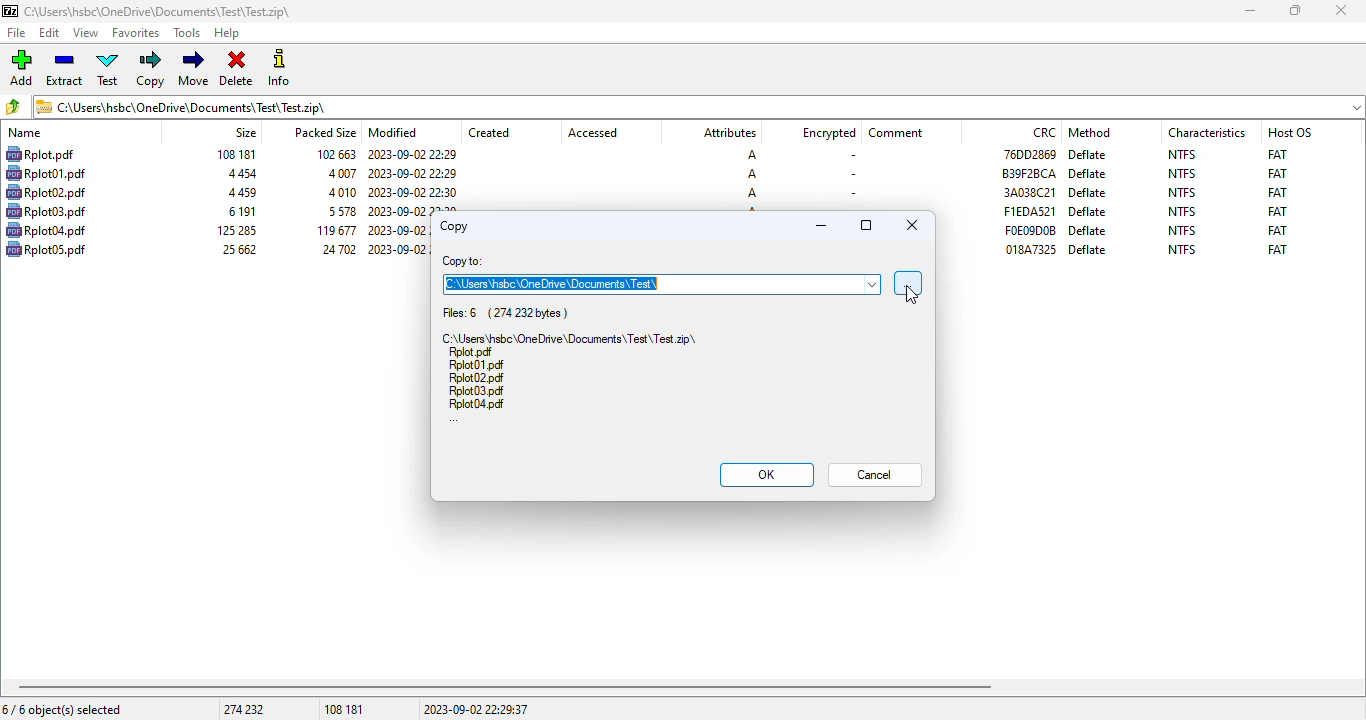 Image resolution: width=1366 pixels, height=720 pixels. Describe the element at coordinates (852, 174) in the screenshot. I see `-` at that location.